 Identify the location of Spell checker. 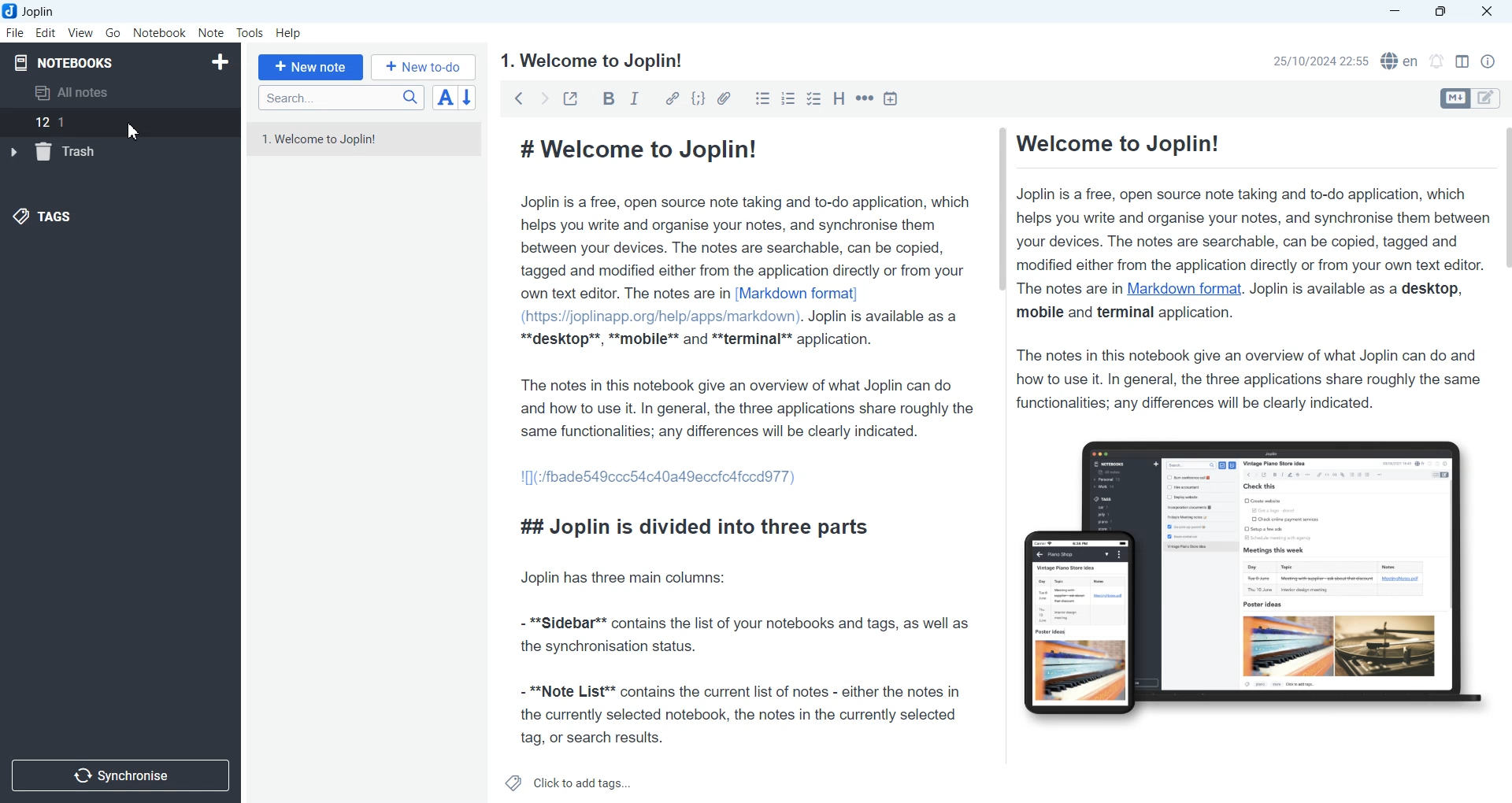
(1401, 61).